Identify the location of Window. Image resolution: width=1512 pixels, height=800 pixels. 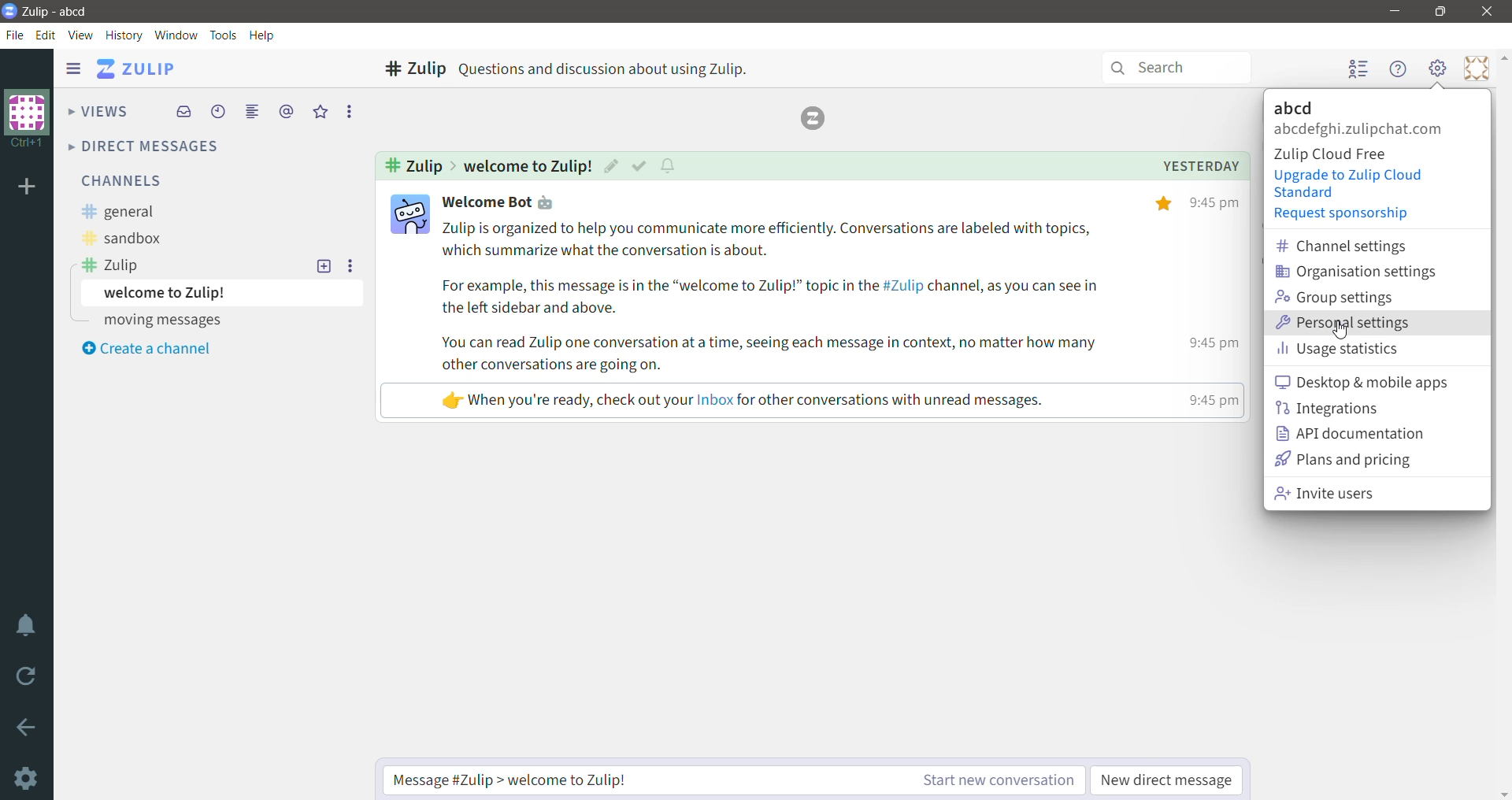
(176, 35).